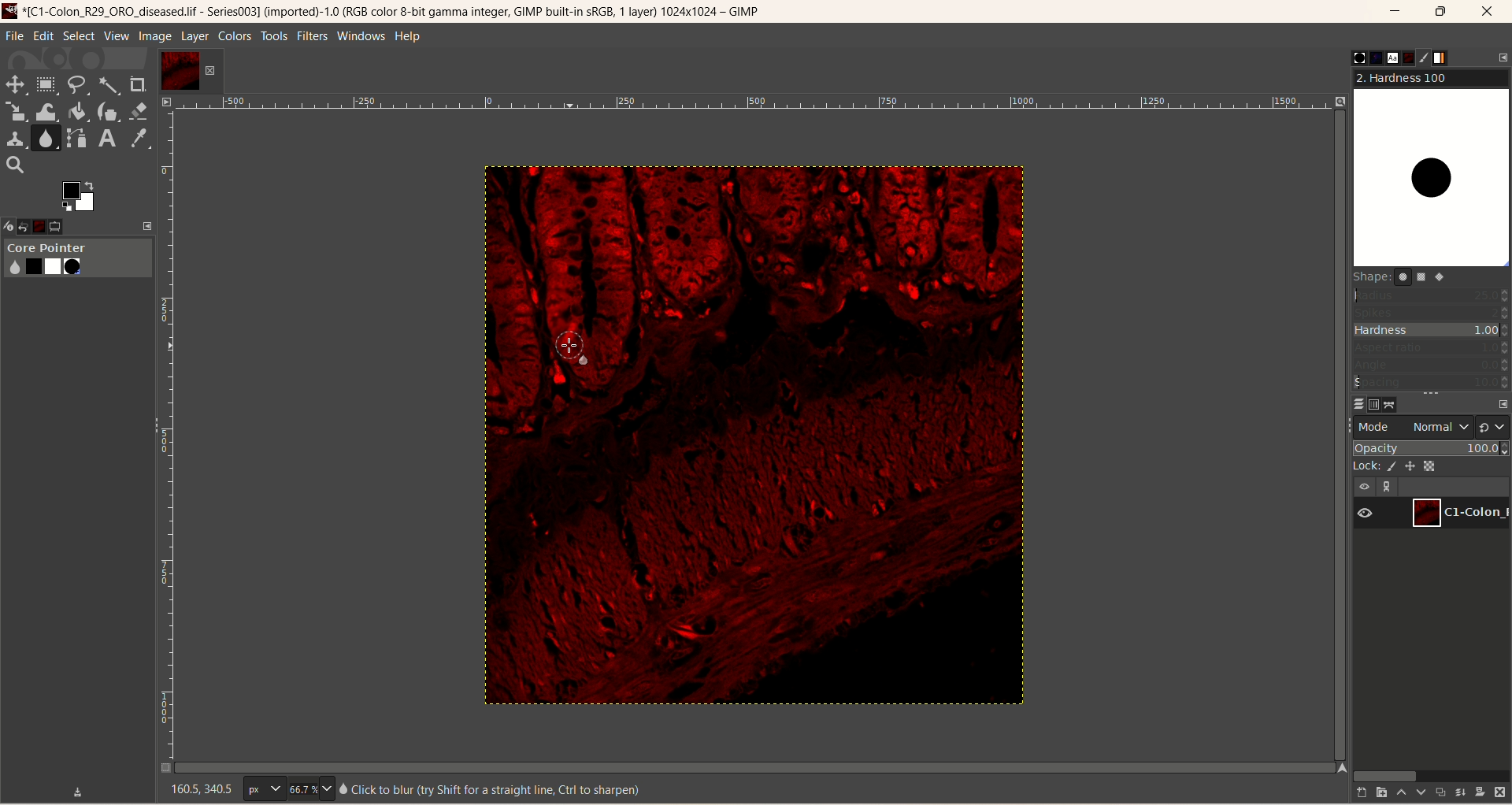 This screenshot has width=1512, height=805. Describe the element at coordinates (1429, 774) in the screenshot. I see `horizontal scroll bar` at that location.